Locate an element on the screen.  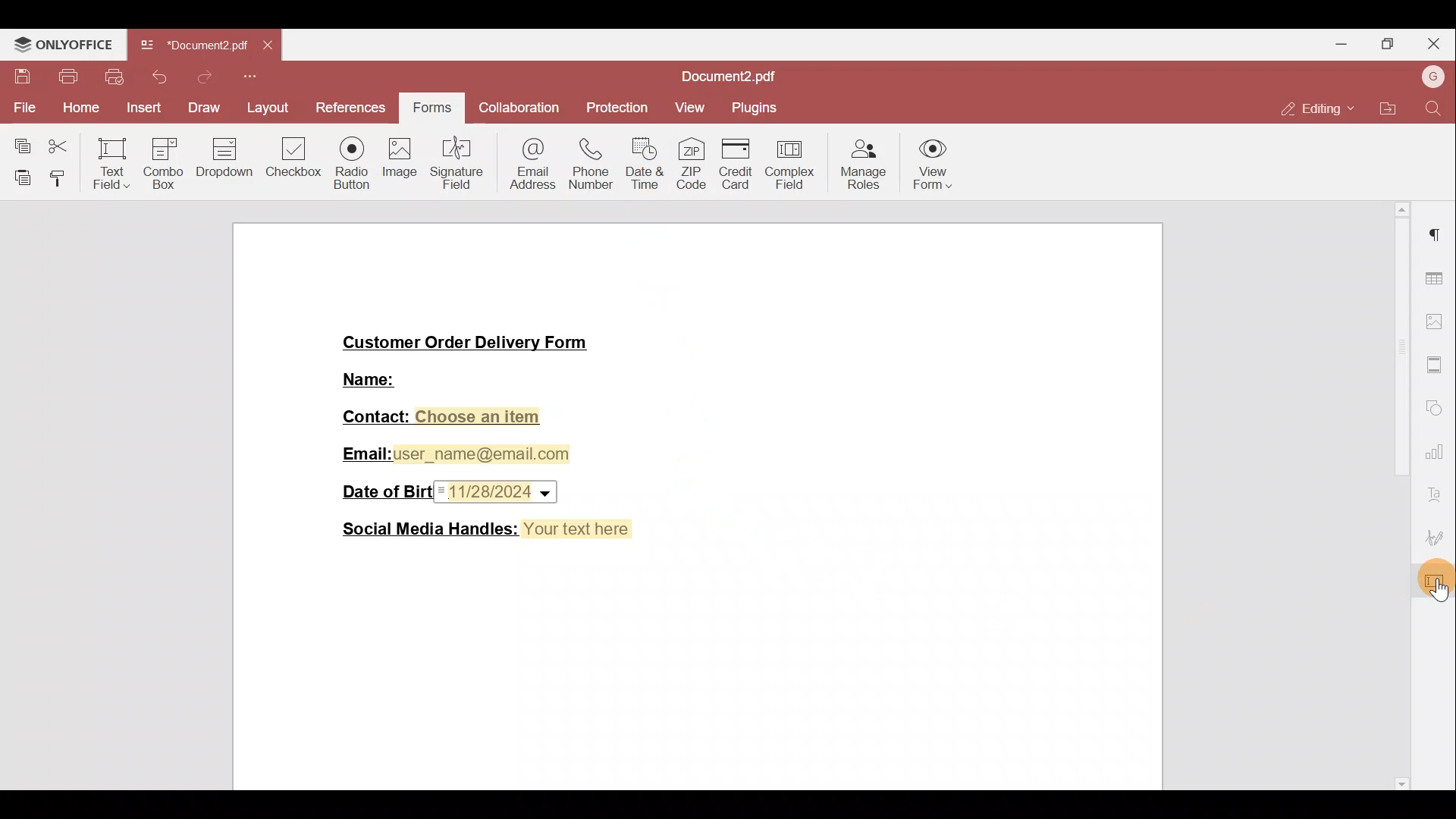
Maximise is located at coordinates (1389, 42).